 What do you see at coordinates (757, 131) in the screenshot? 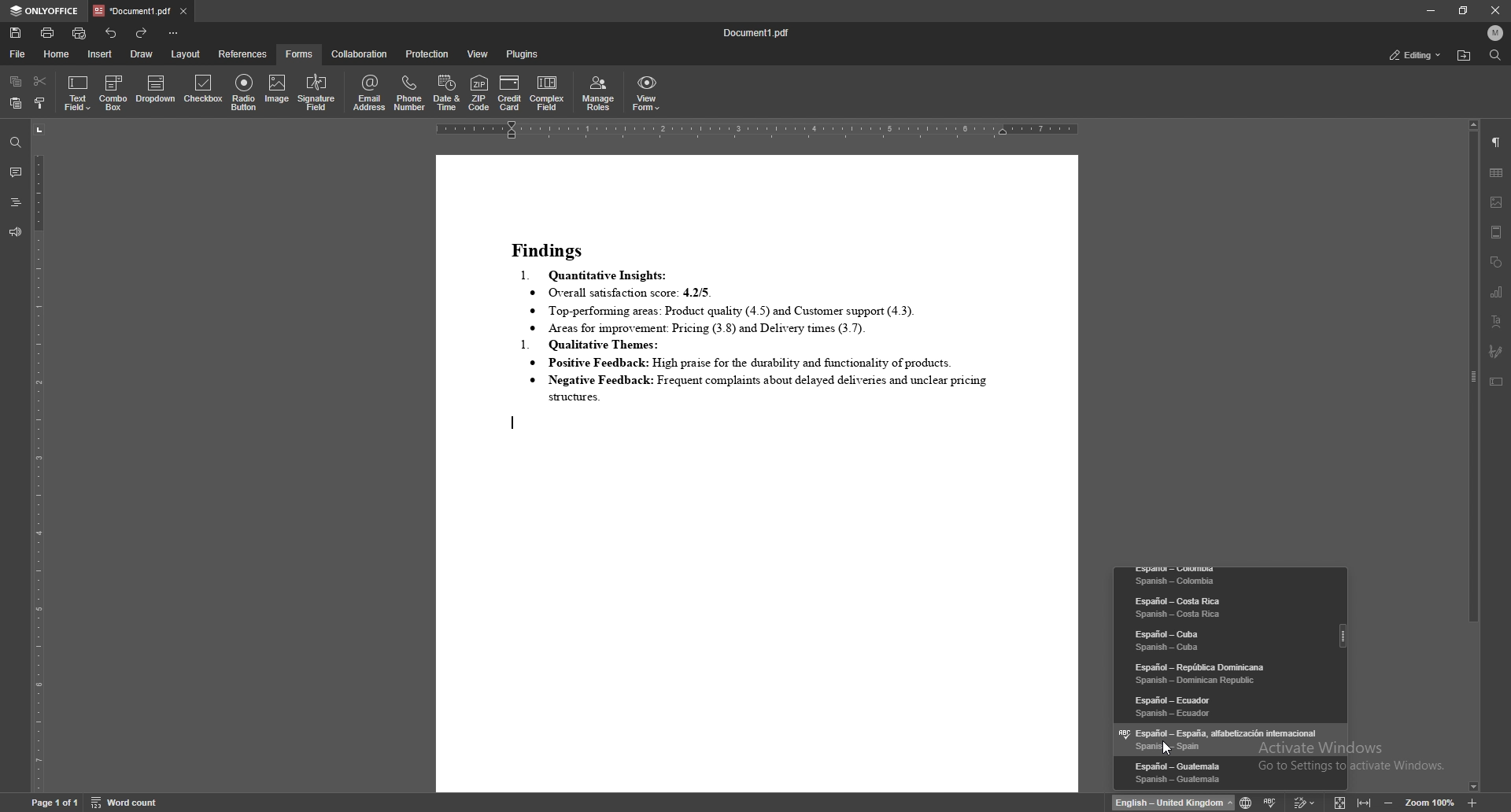
I see `horizontal scale` at bounding box center [757, 131].